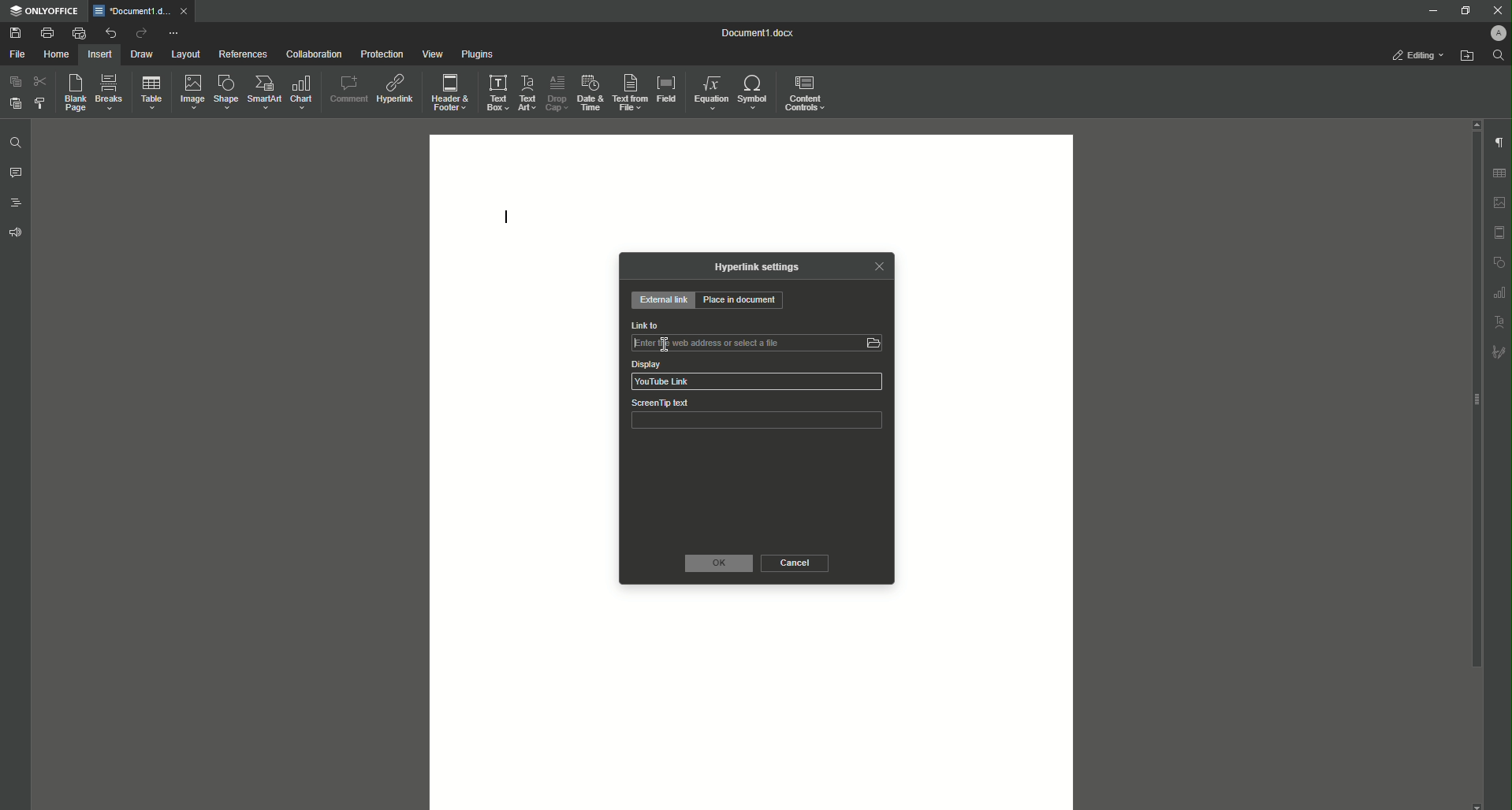 The width and height of the screenshot is (1512, 810). I want to click on Find, so click(1499, 55).